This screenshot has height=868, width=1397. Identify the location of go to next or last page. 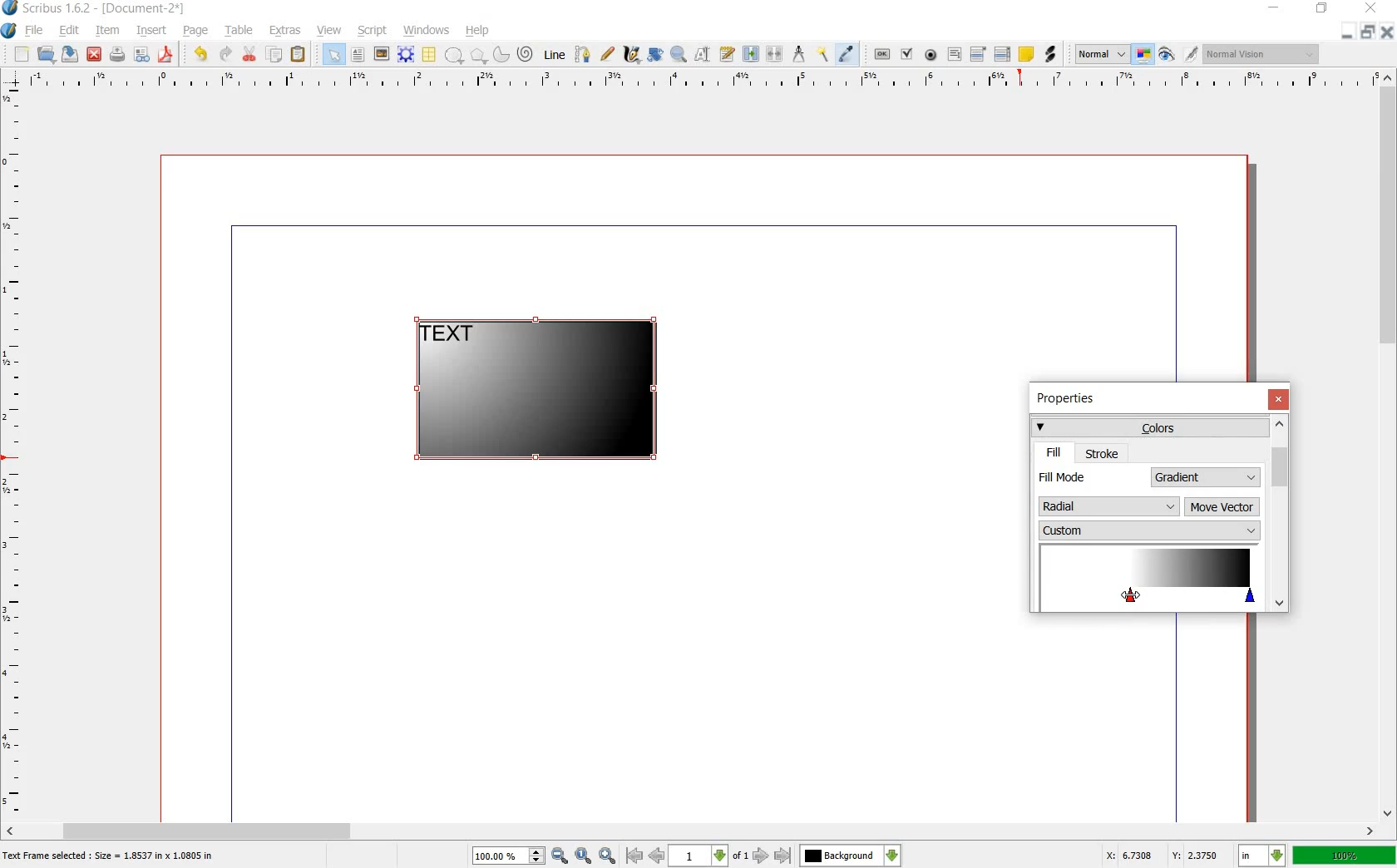
(771, 856).